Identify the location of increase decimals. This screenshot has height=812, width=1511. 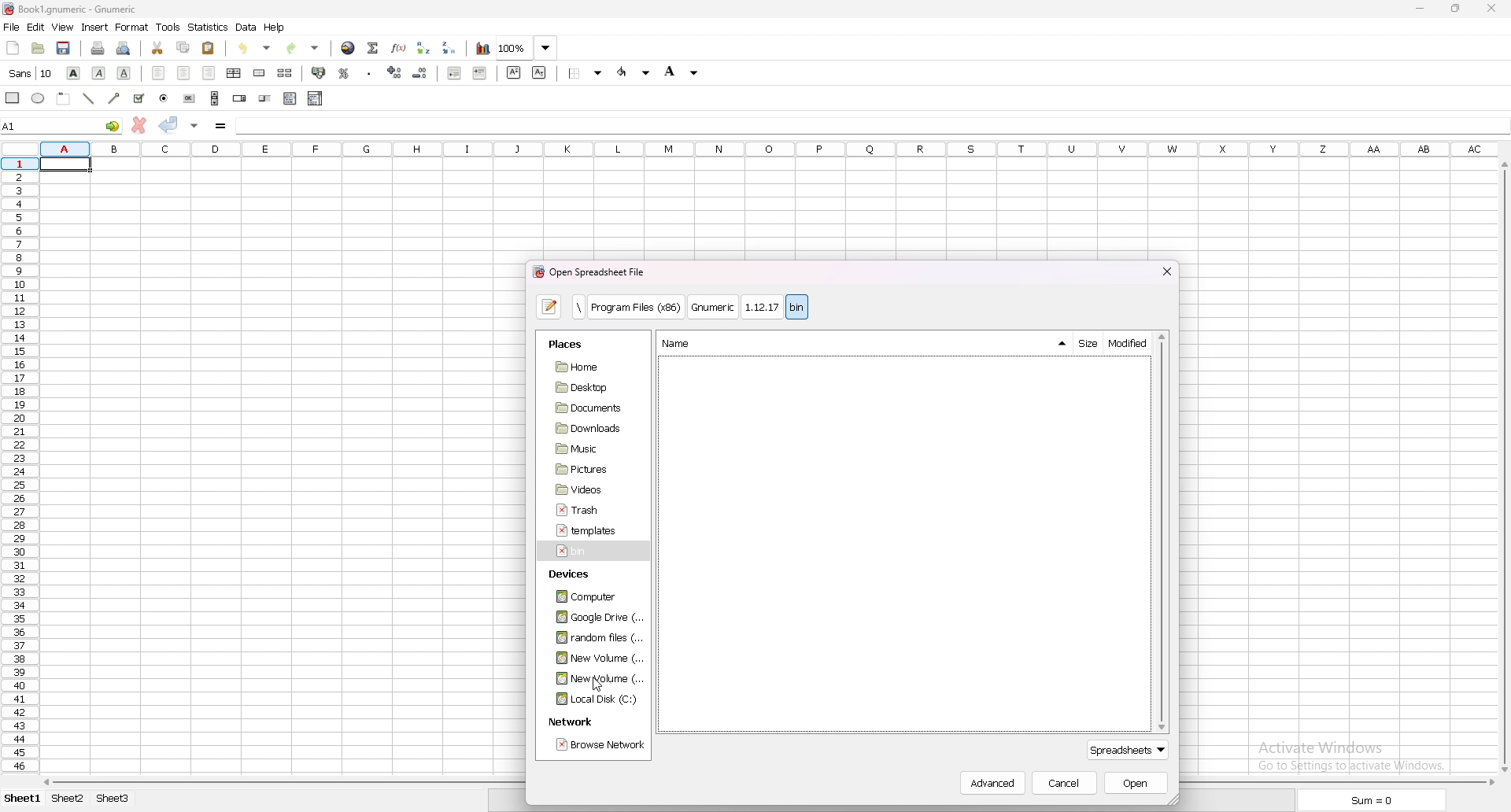
(395, 72).